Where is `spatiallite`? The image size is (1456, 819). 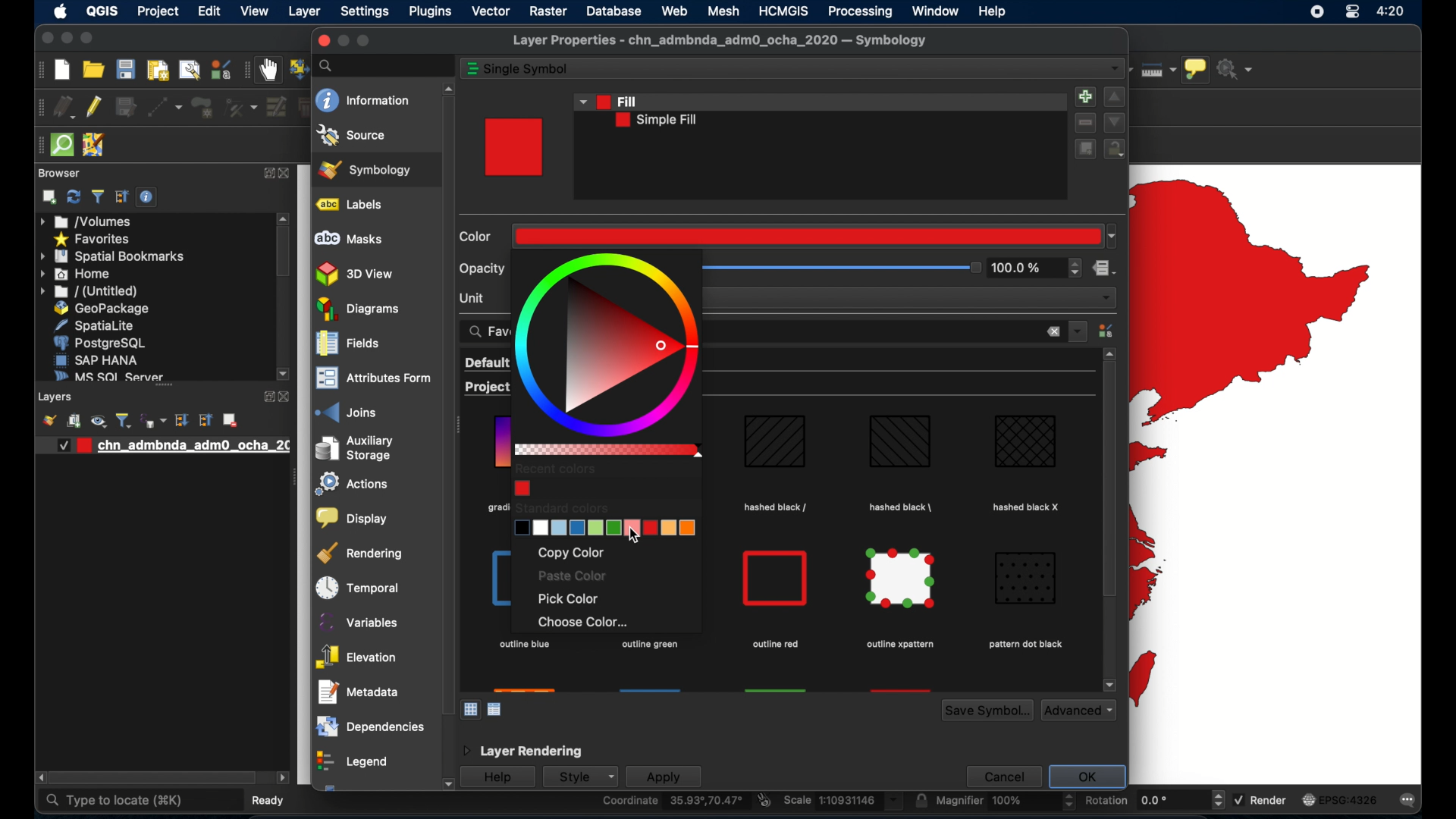 spatiallite is located at coordinates (99, 325).